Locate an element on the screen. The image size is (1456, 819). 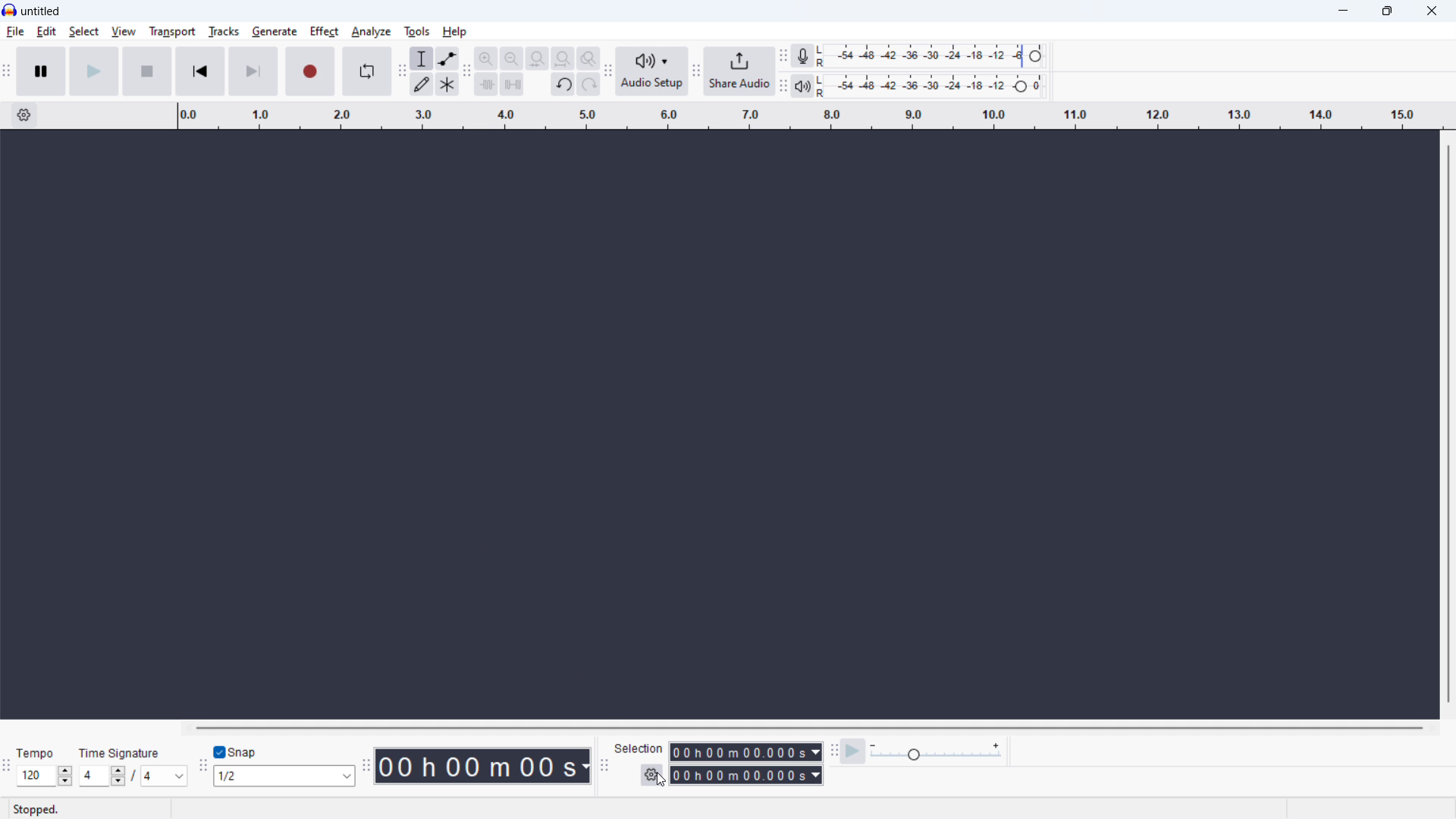
recording meter is located at coordinates (802, 55).